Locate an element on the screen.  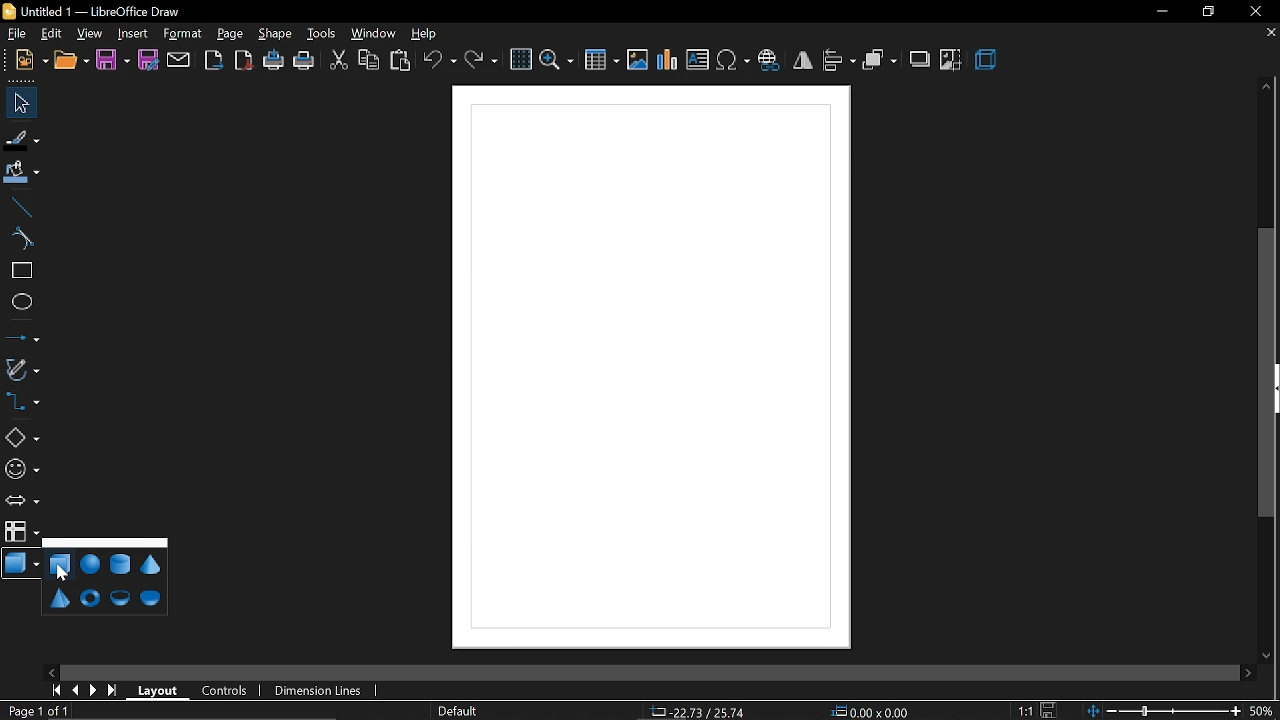
curve is located at coordinates (22, 240).